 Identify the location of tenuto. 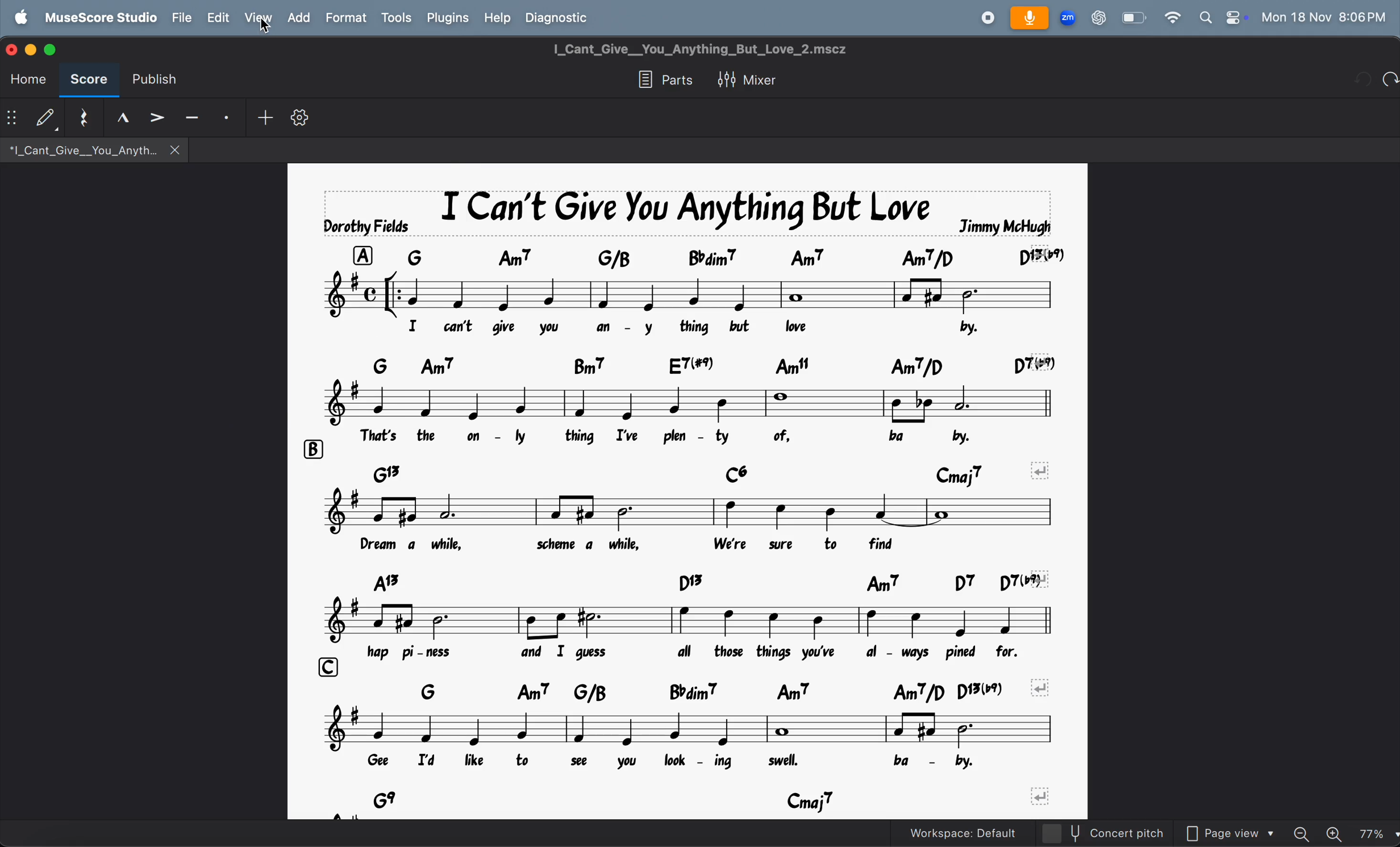
(118, 119).